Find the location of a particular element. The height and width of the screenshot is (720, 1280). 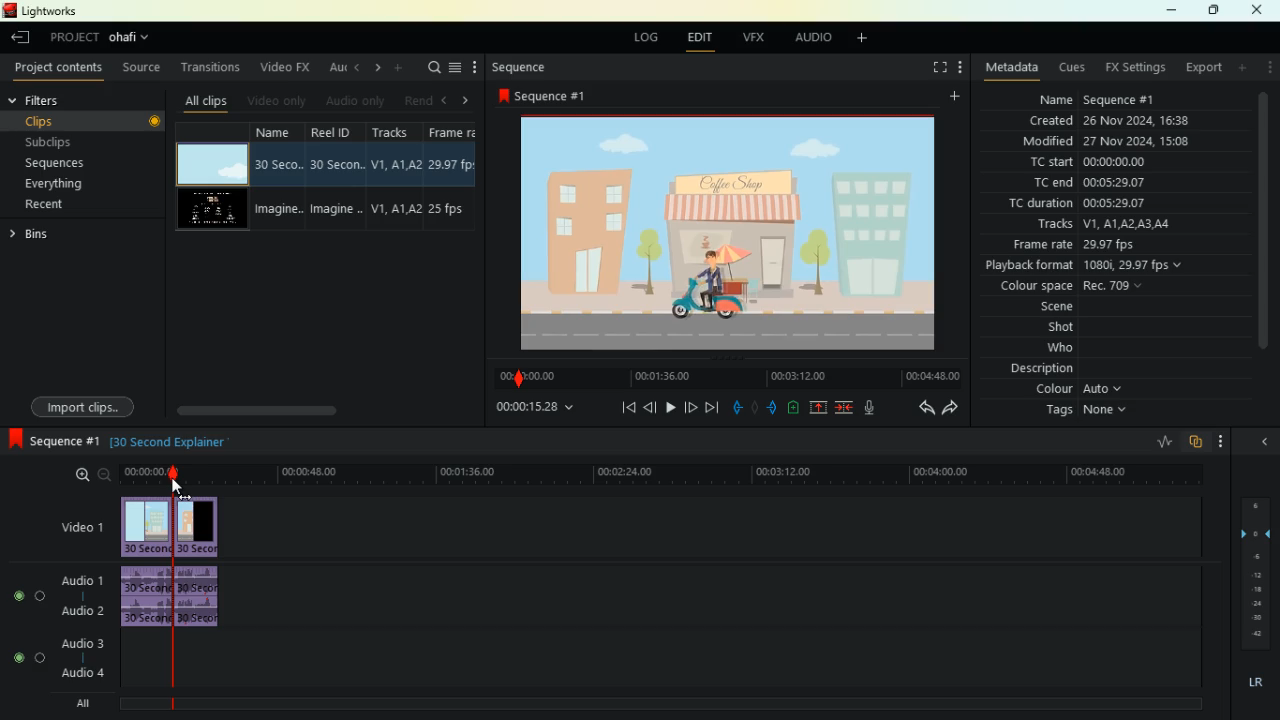

tracksd is located at coordinates (396, 133).